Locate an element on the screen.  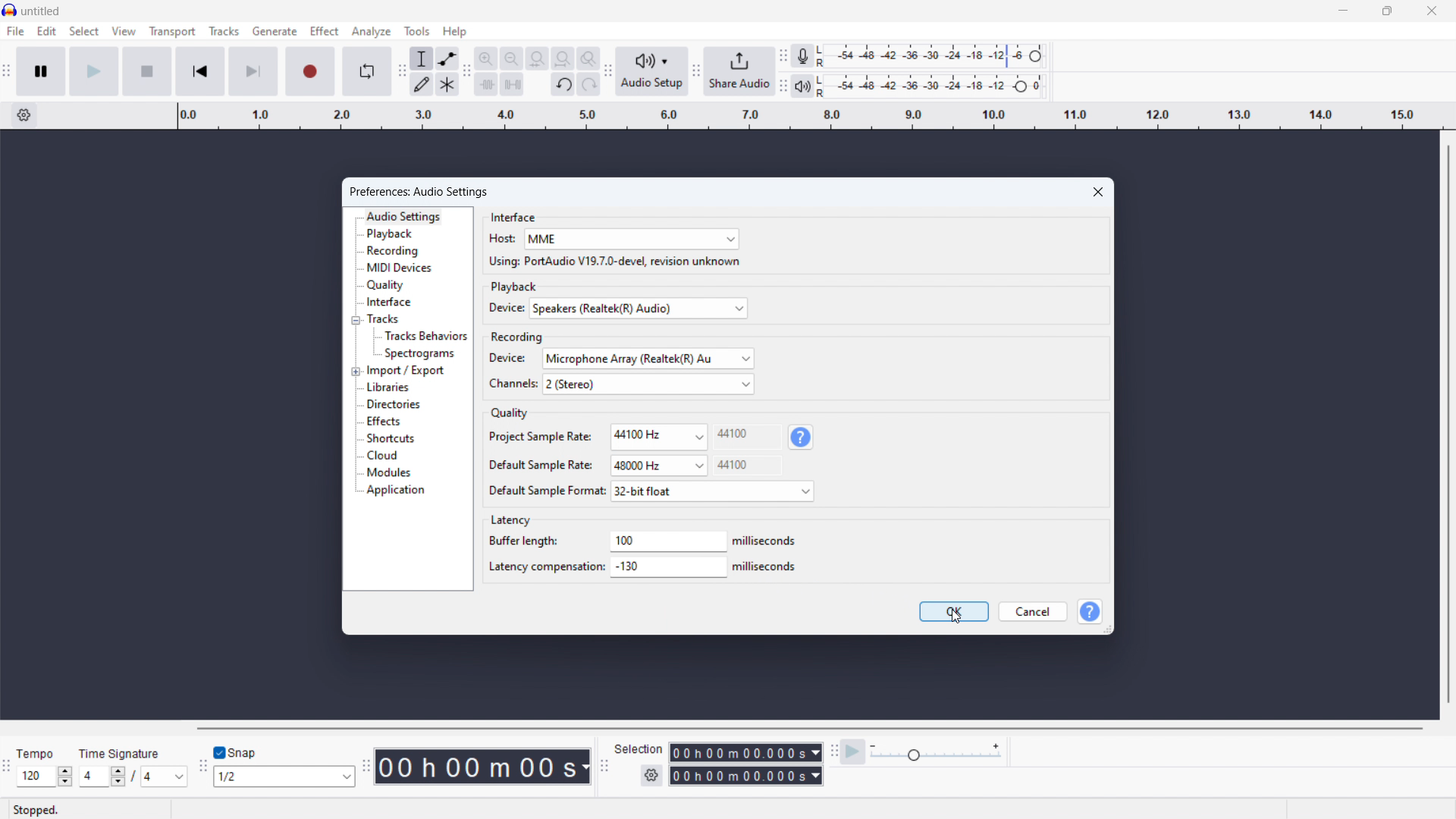
edit toolbar is located at coordinates (466, 74).